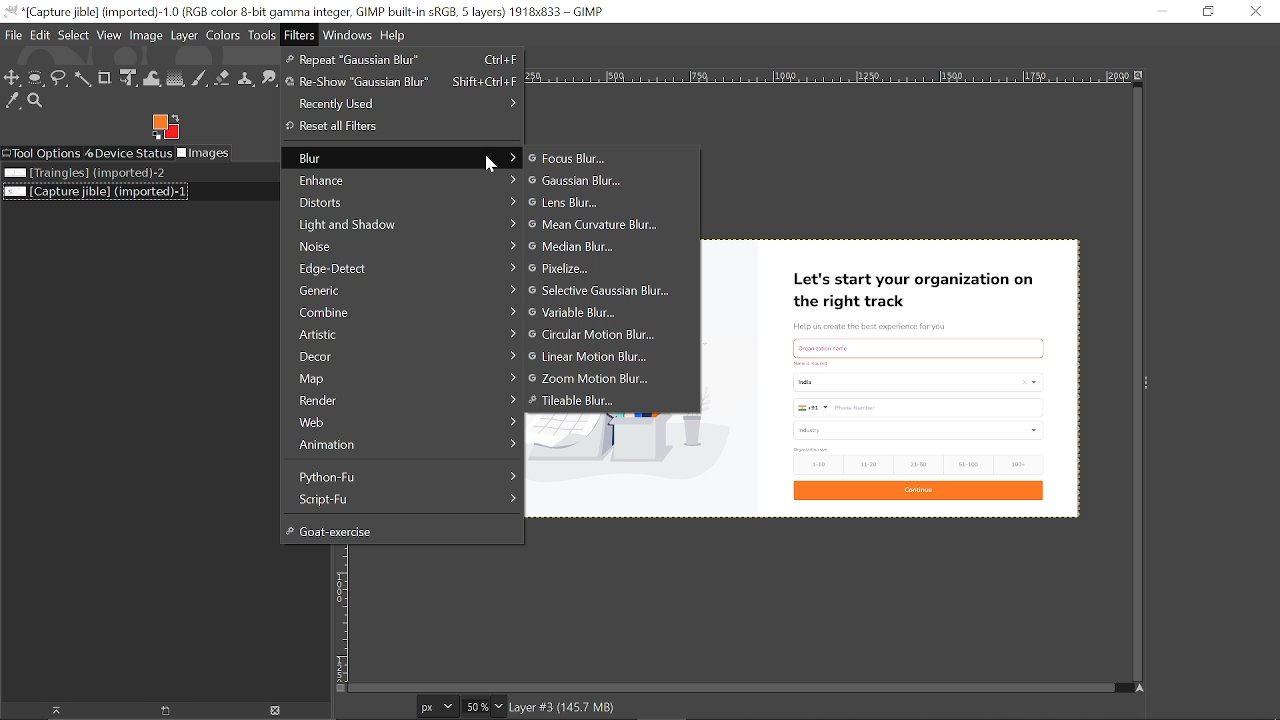 The height and width of the screenshot is (720, 1280). Describe the element at coordinates (84, 80) in the screenshot. I see `Free select tool` at that location.